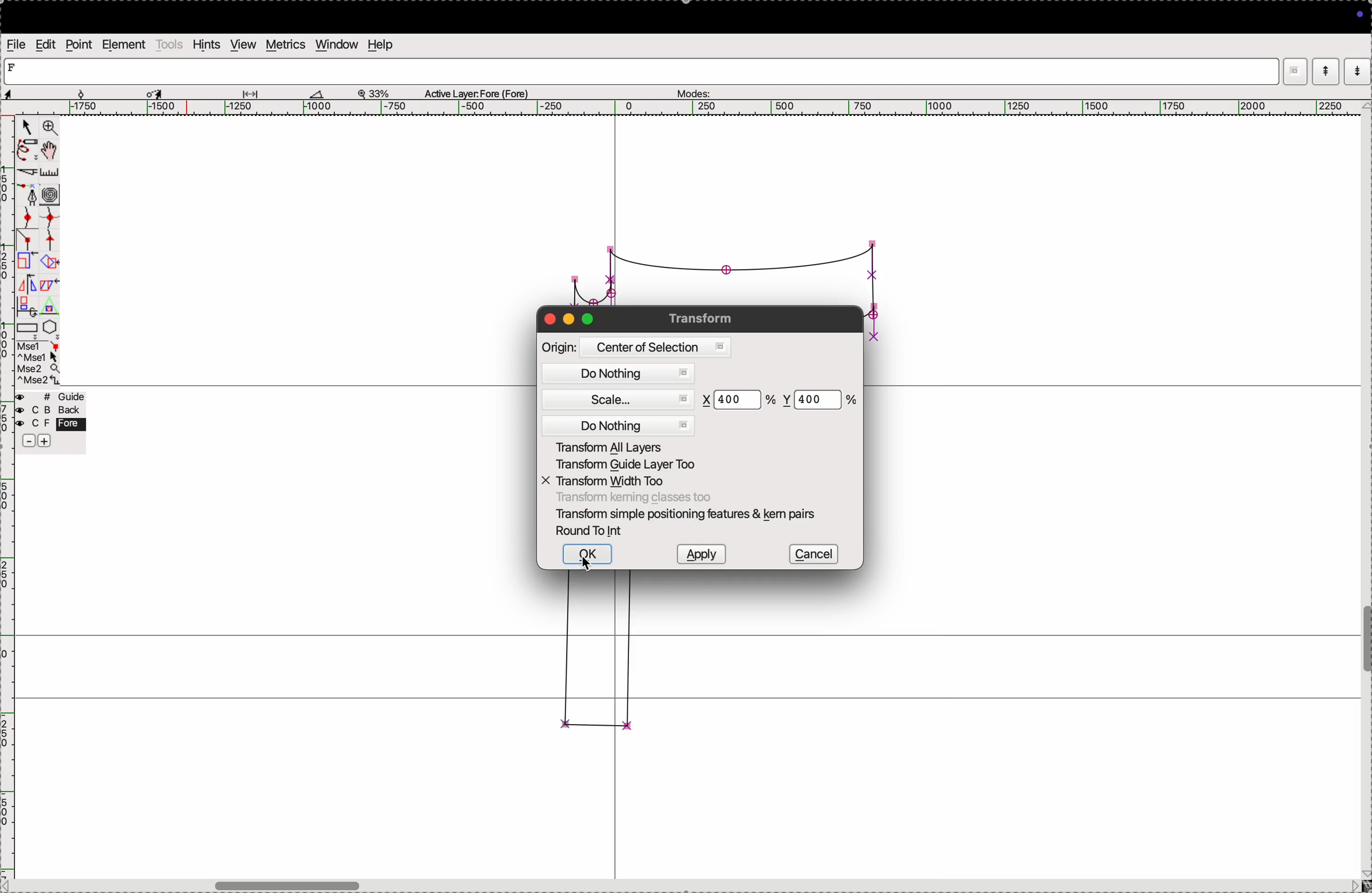 The width and height of the screenshot is (1372, 893). I want to click on mirror, so click(37, 286).